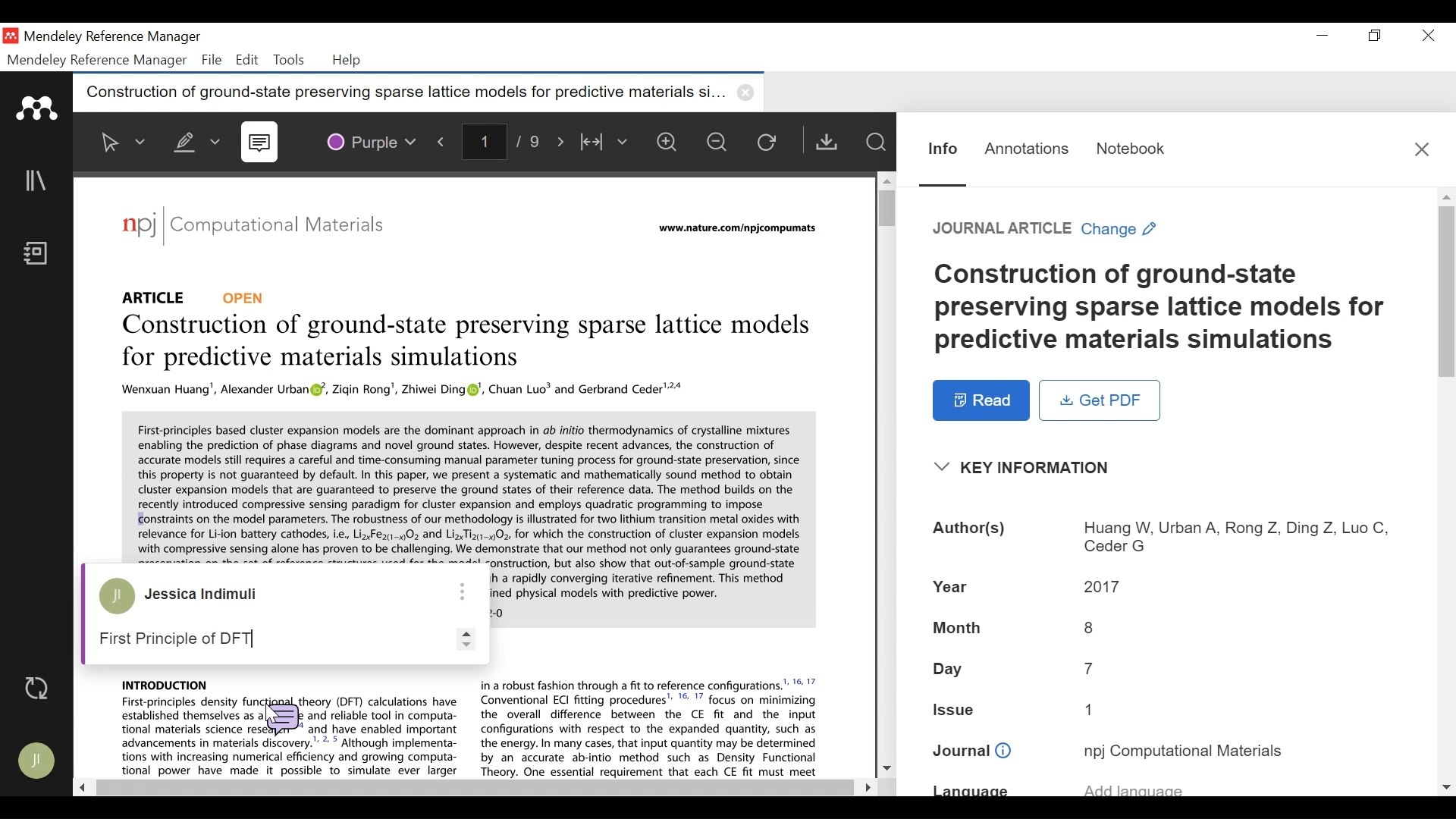 The image size is (1456, 819). What do you see at coordinates (472, 788) in the screenshot?
I see `Horizontal Scroll bar` at bounding box center [472, 788].